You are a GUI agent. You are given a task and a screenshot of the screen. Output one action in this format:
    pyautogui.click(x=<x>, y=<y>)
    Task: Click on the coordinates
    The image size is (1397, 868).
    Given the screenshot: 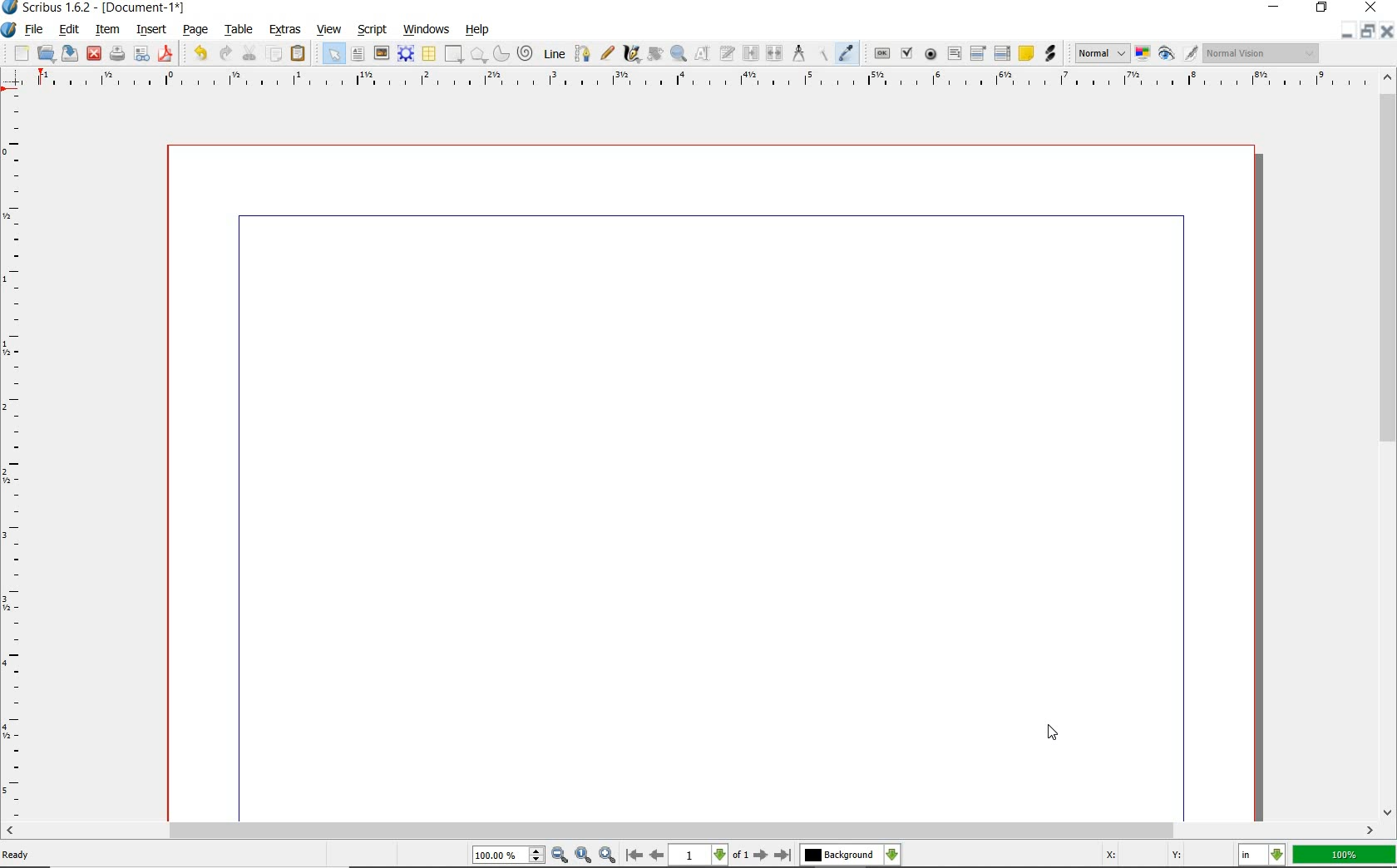 What is the action you would take?
    pyautogui.click(x=1156, y=858)
    